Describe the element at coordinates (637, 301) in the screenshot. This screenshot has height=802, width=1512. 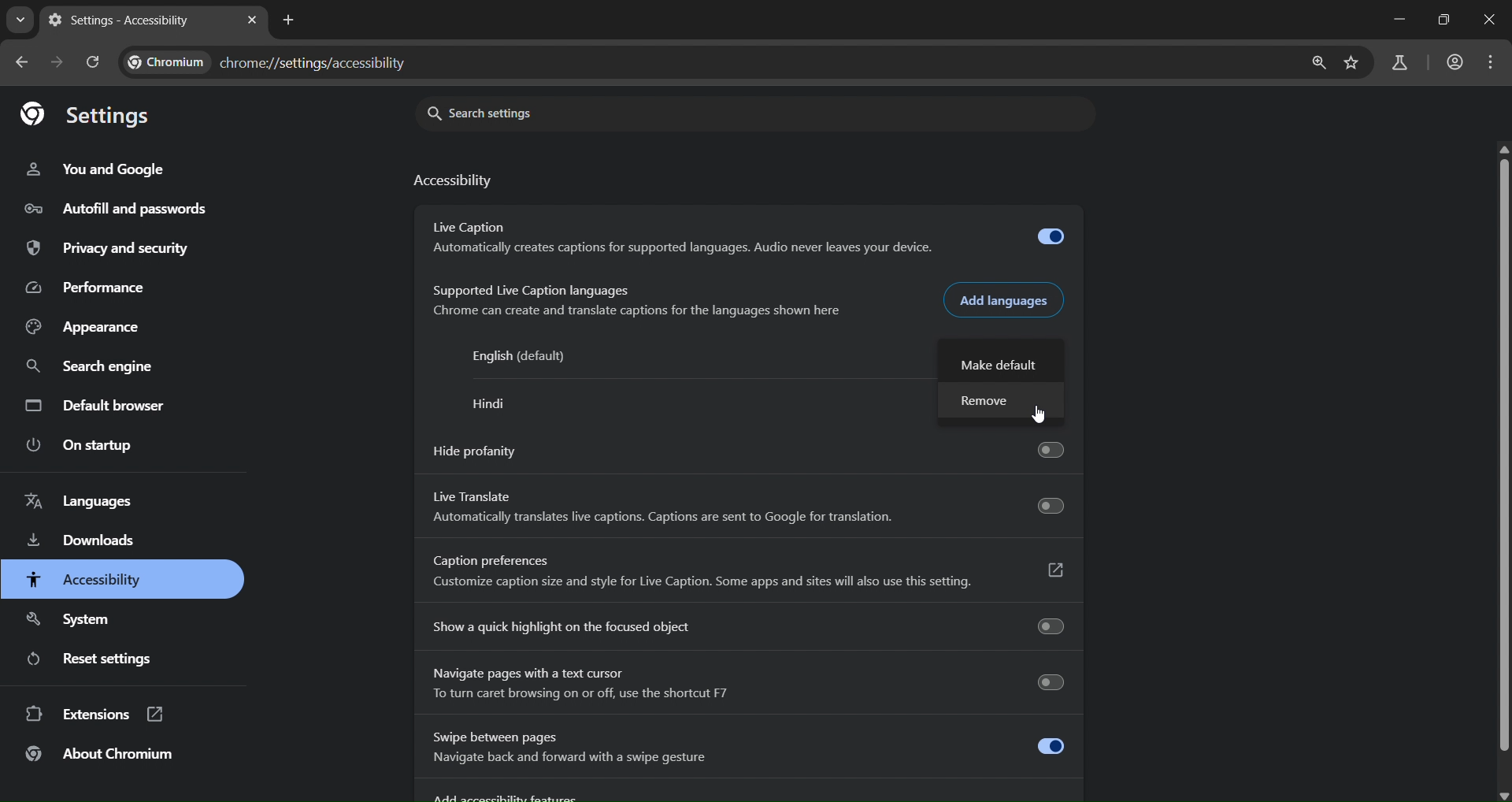
I see `Supported Live Caption languages
Chrome can create and translate captions for the languages shown here` at that location.